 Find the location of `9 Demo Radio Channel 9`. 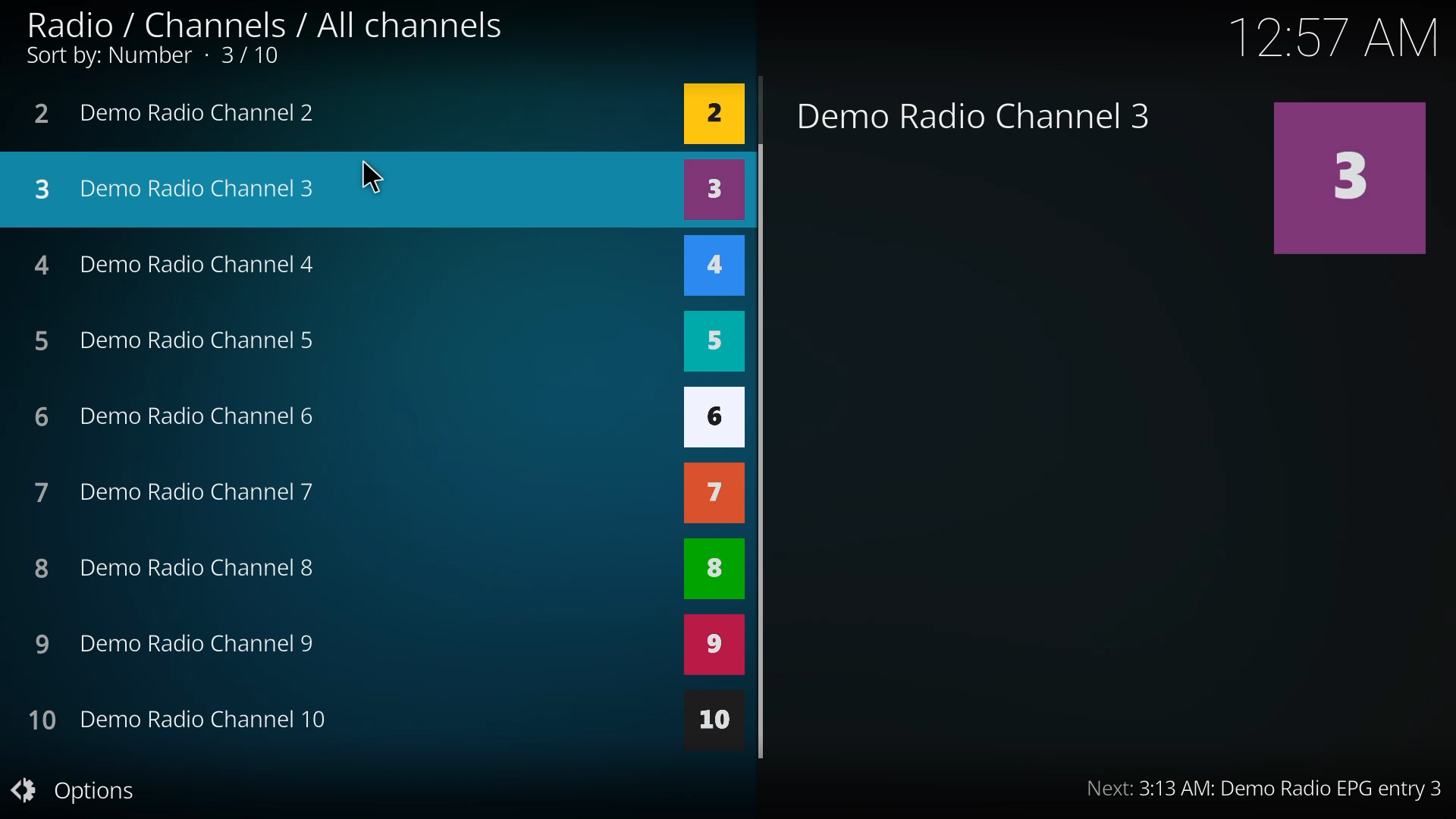

9 Demo Radio Channel 9 is located at coordinates (178, 645).